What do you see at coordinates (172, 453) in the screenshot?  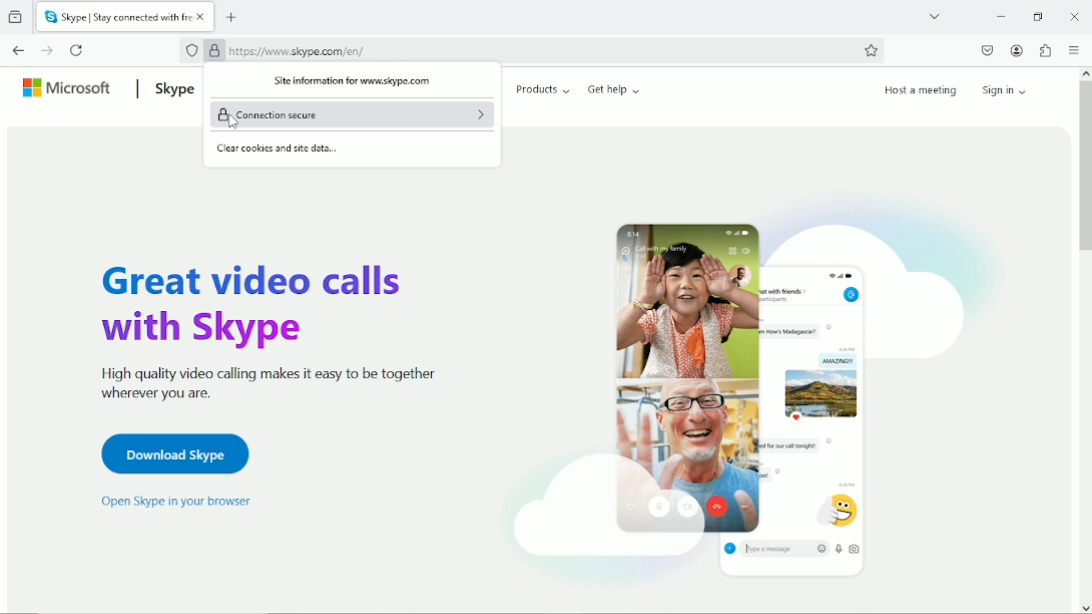 I see `Download Skype` at bounding box center [172, 453].